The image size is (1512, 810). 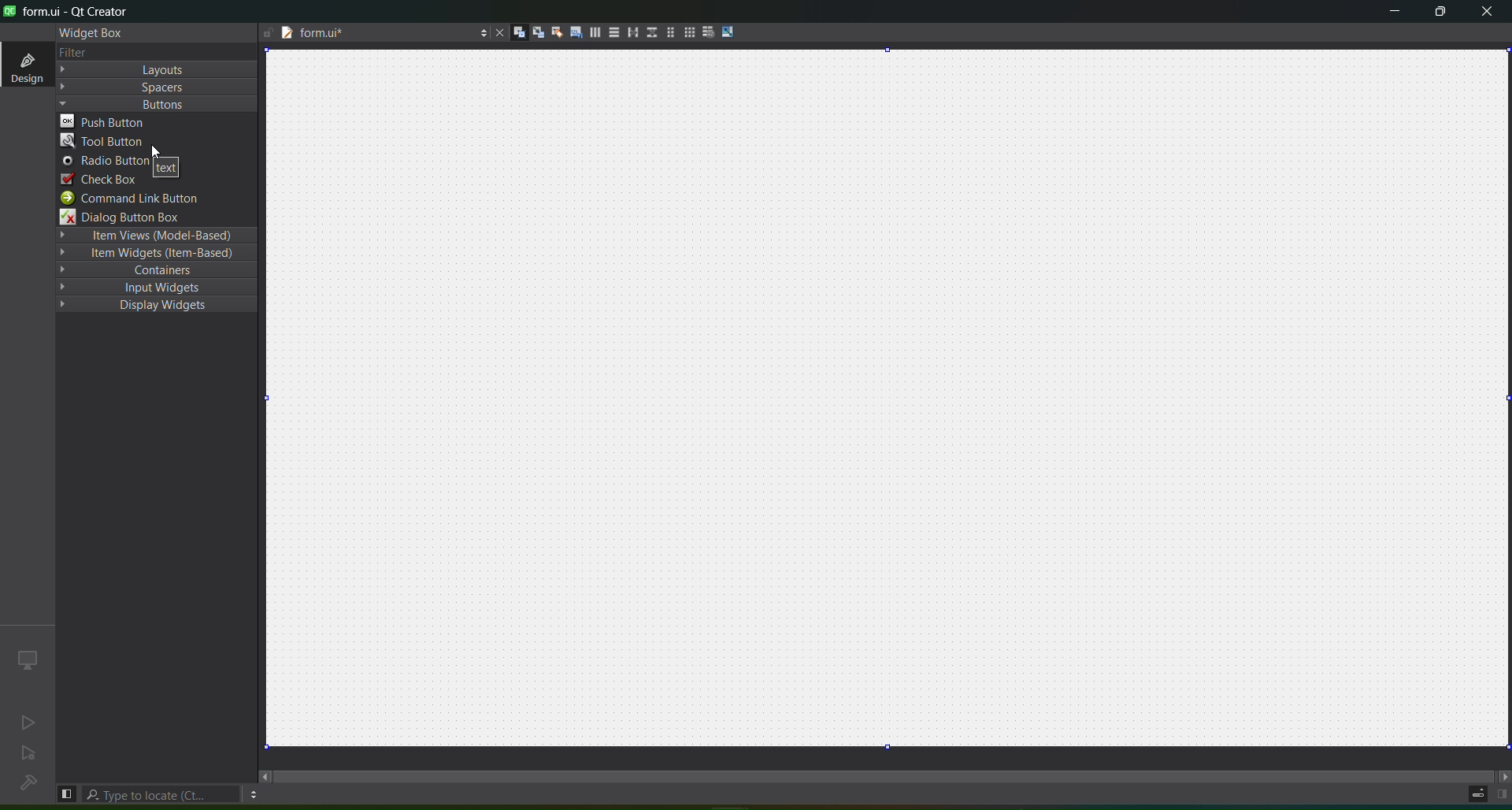 I want to click on options, so click(x=255, y=794).